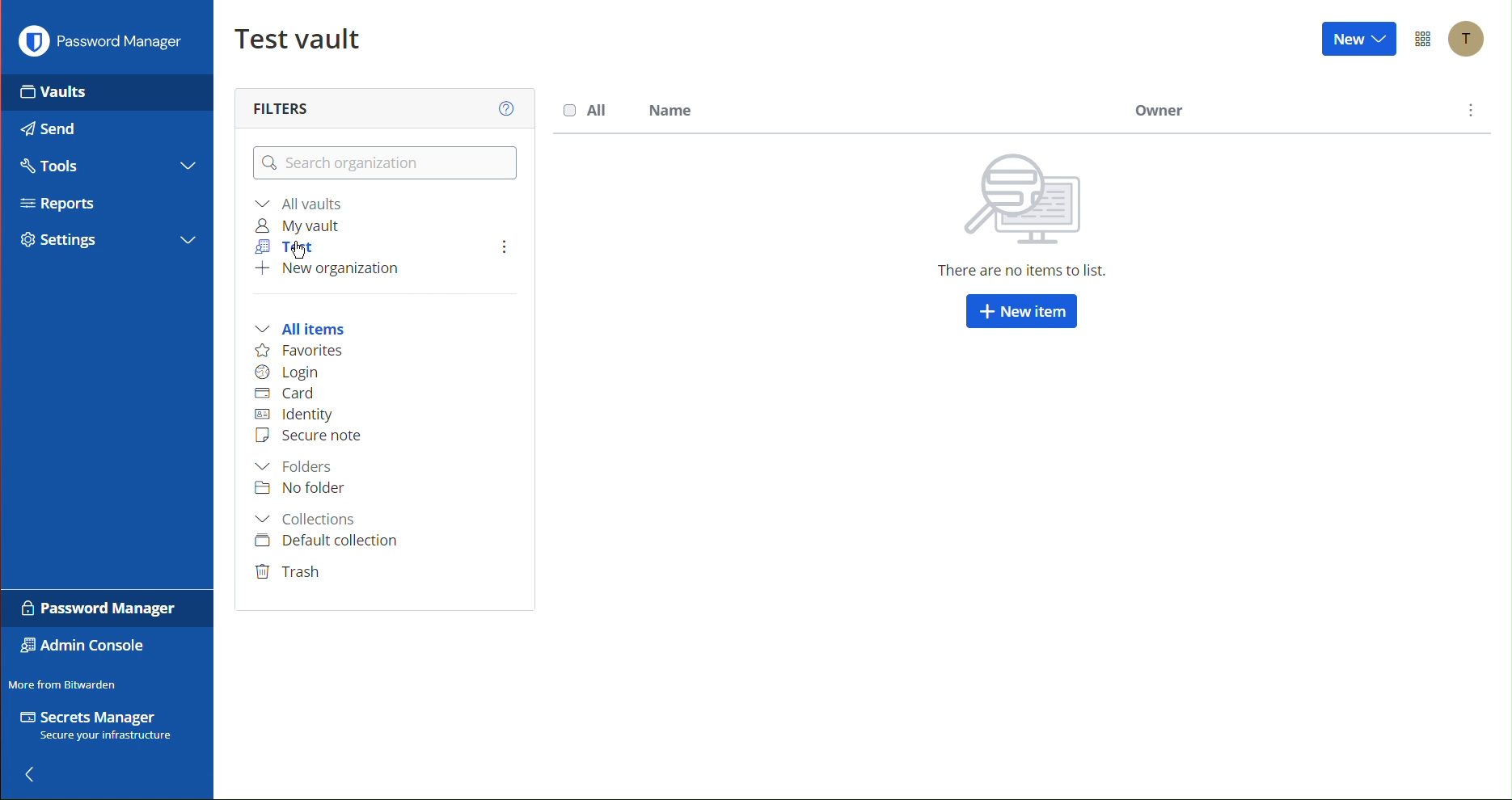 Image resolution: width=1512 pixels, height=800 pixels. Describe the element at coordinates (1019, 215) in the screenshot. I see `There are no items to list` at that location.